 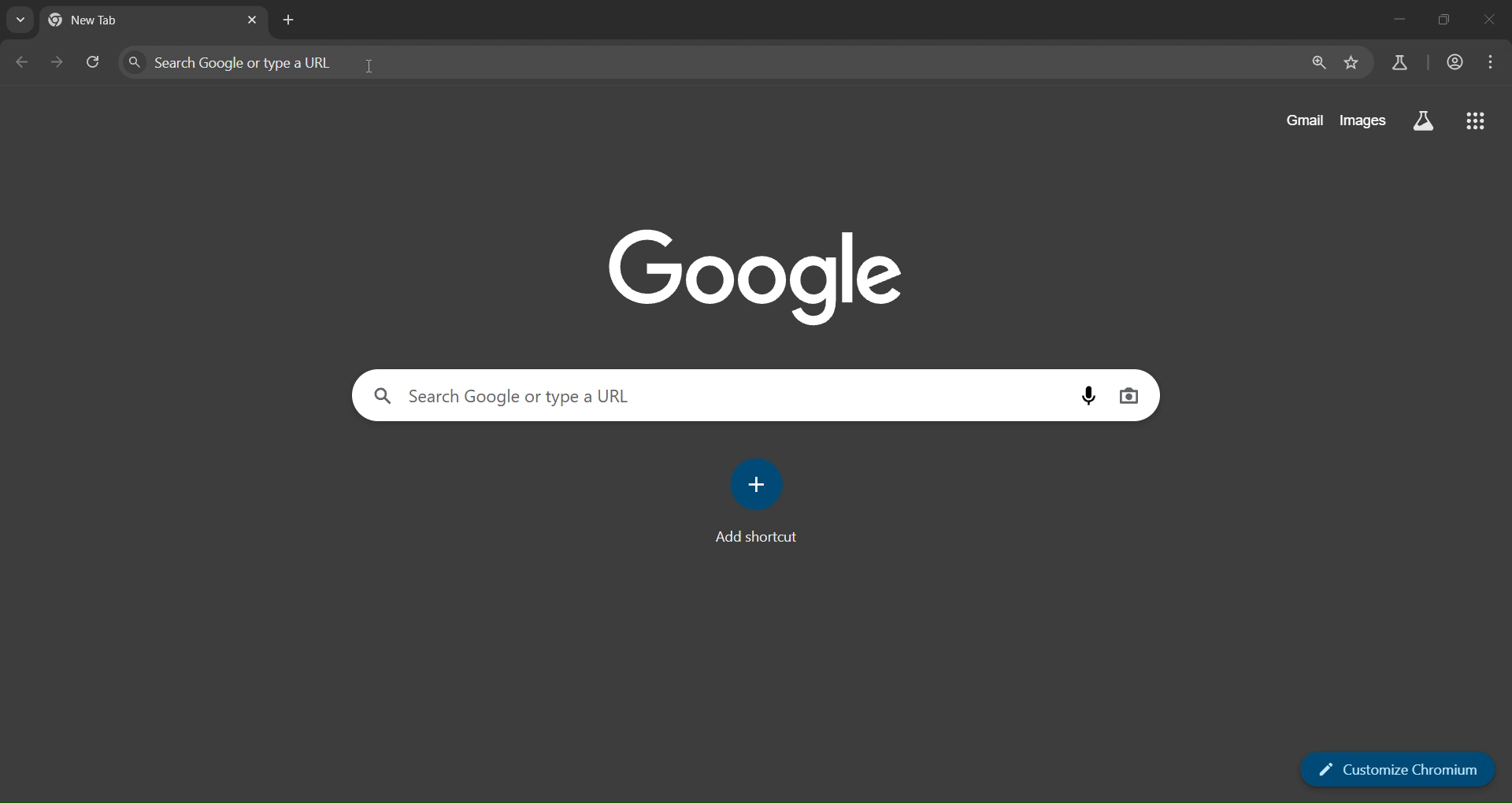 I want to click on close, so click(x=1487, y=21).